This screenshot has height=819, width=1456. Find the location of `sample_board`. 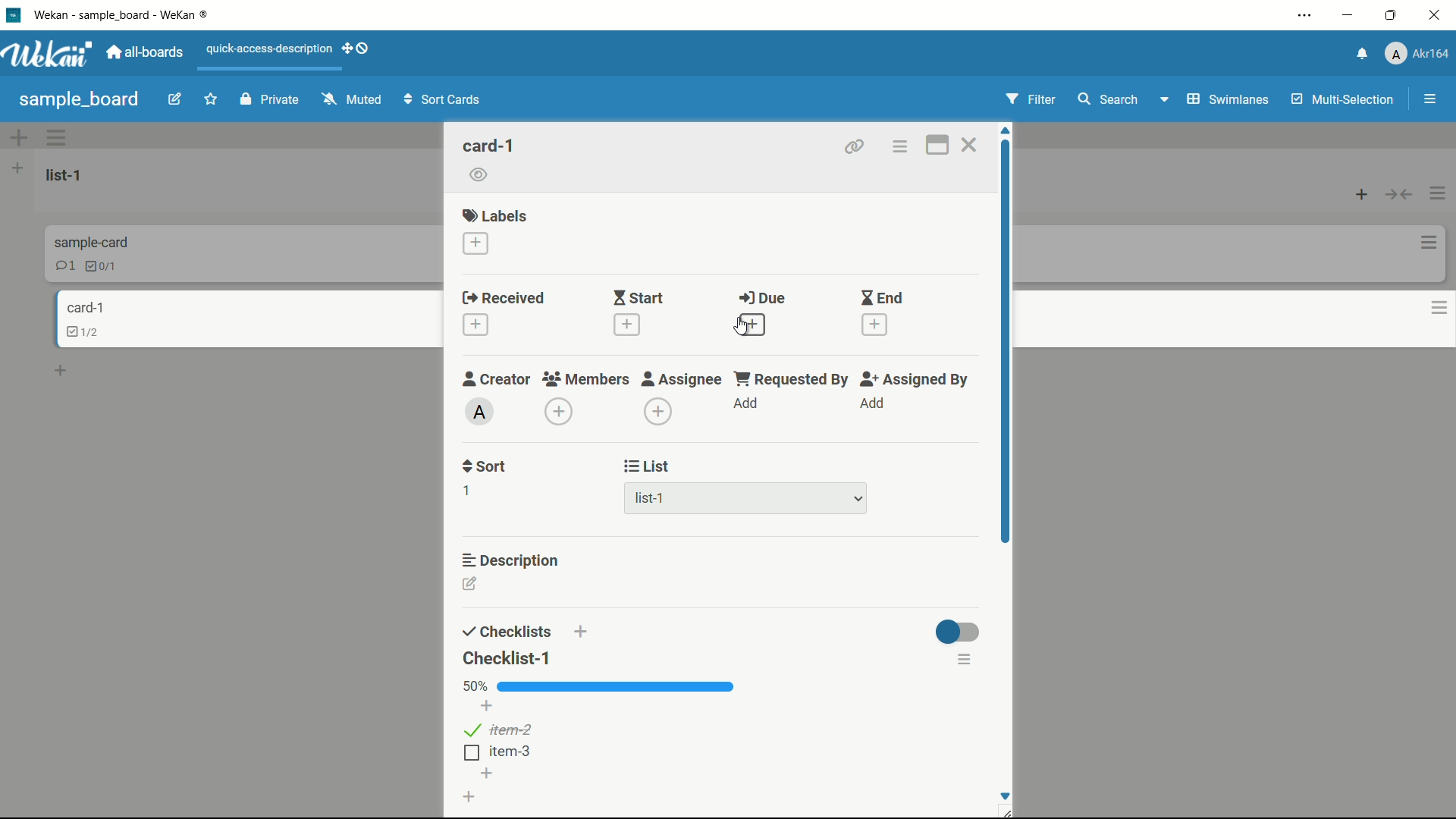

sample_board is located at coordinates (76, 99).